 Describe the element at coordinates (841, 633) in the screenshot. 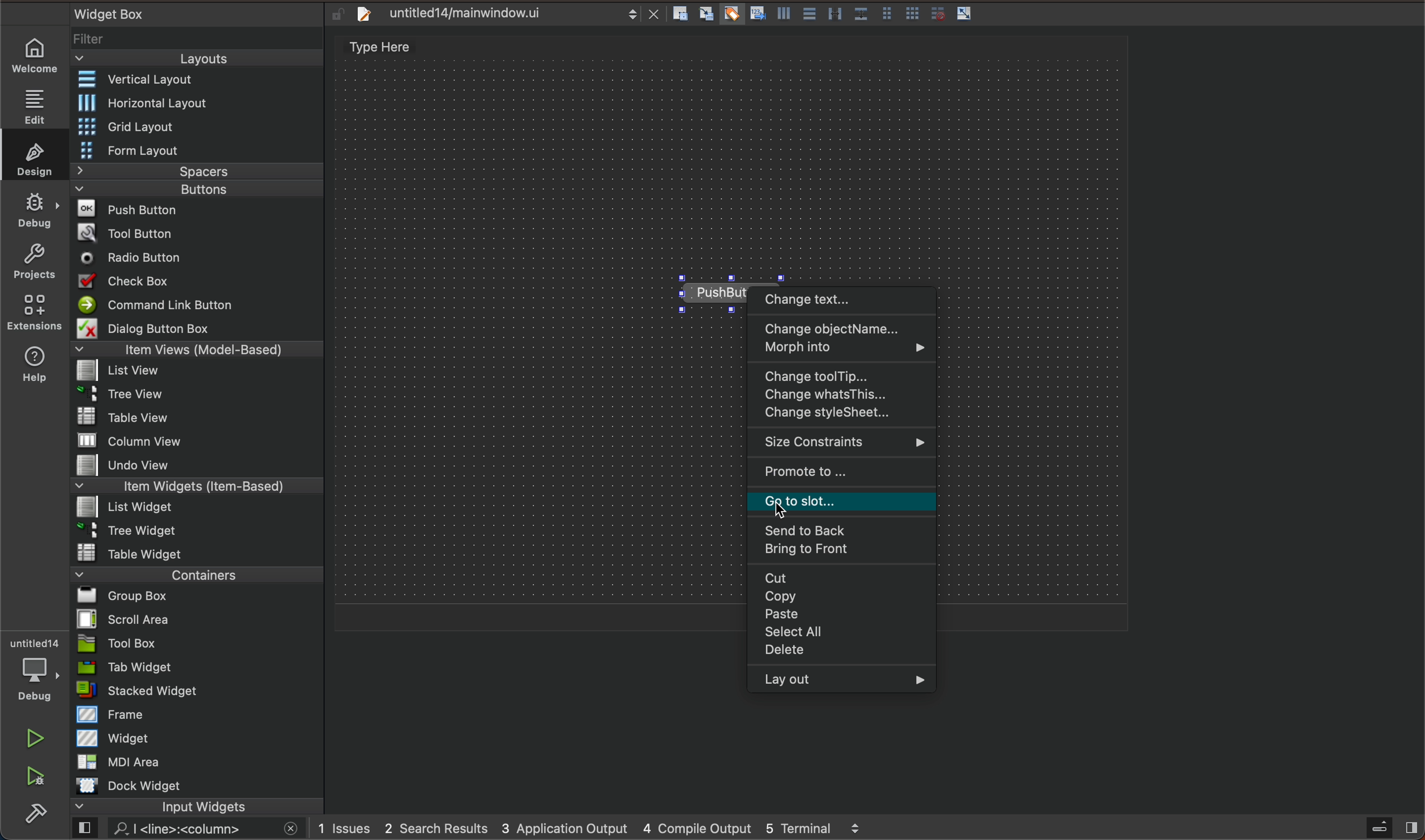

I see `` at that location.